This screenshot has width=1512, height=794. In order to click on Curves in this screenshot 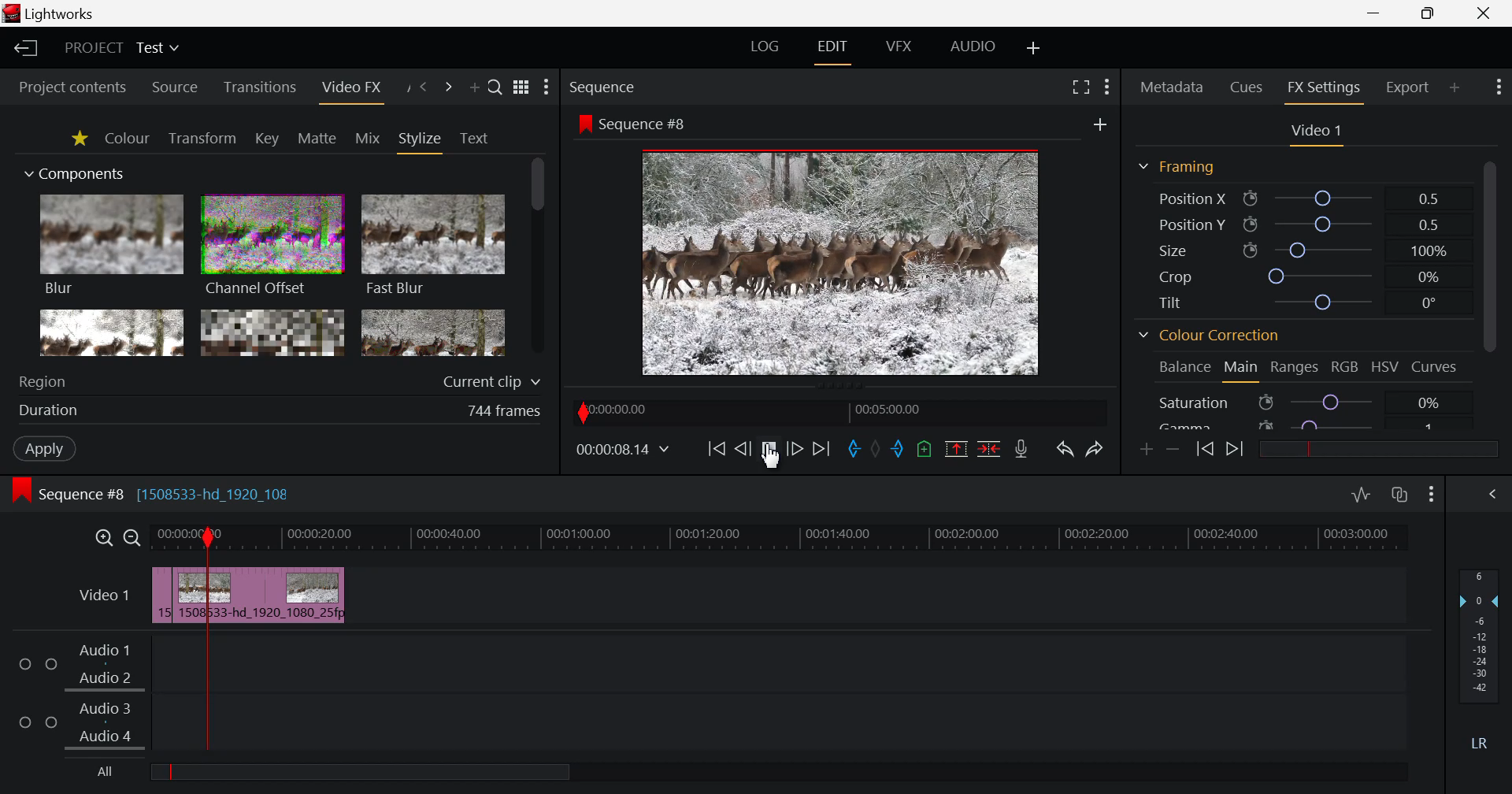, I will do `click(1436, 366)`.